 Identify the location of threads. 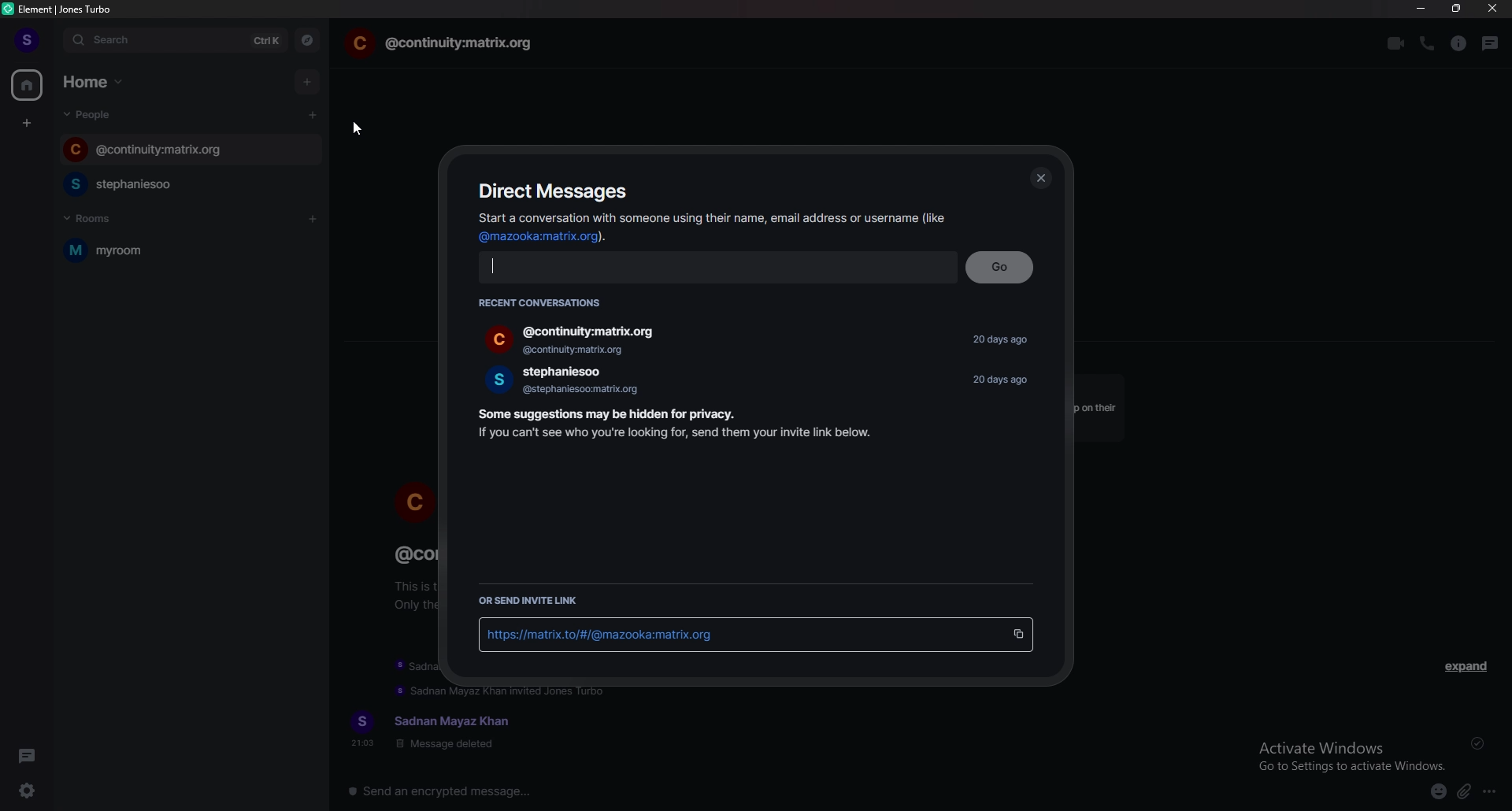
(28, 756).